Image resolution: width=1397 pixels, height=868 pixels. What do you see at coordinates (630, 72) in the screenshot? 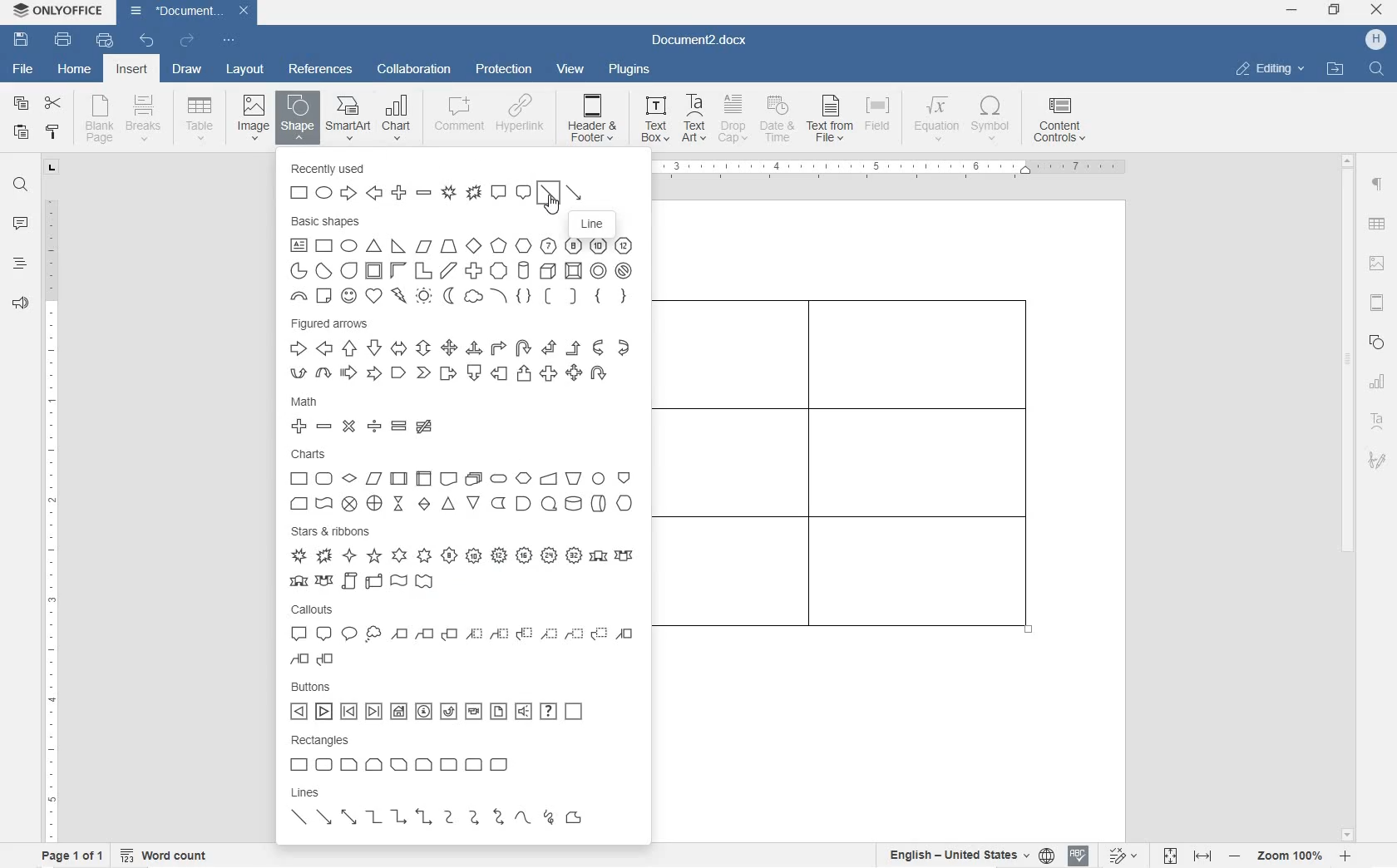
I see `plugins` at bounding box center [630, 72].